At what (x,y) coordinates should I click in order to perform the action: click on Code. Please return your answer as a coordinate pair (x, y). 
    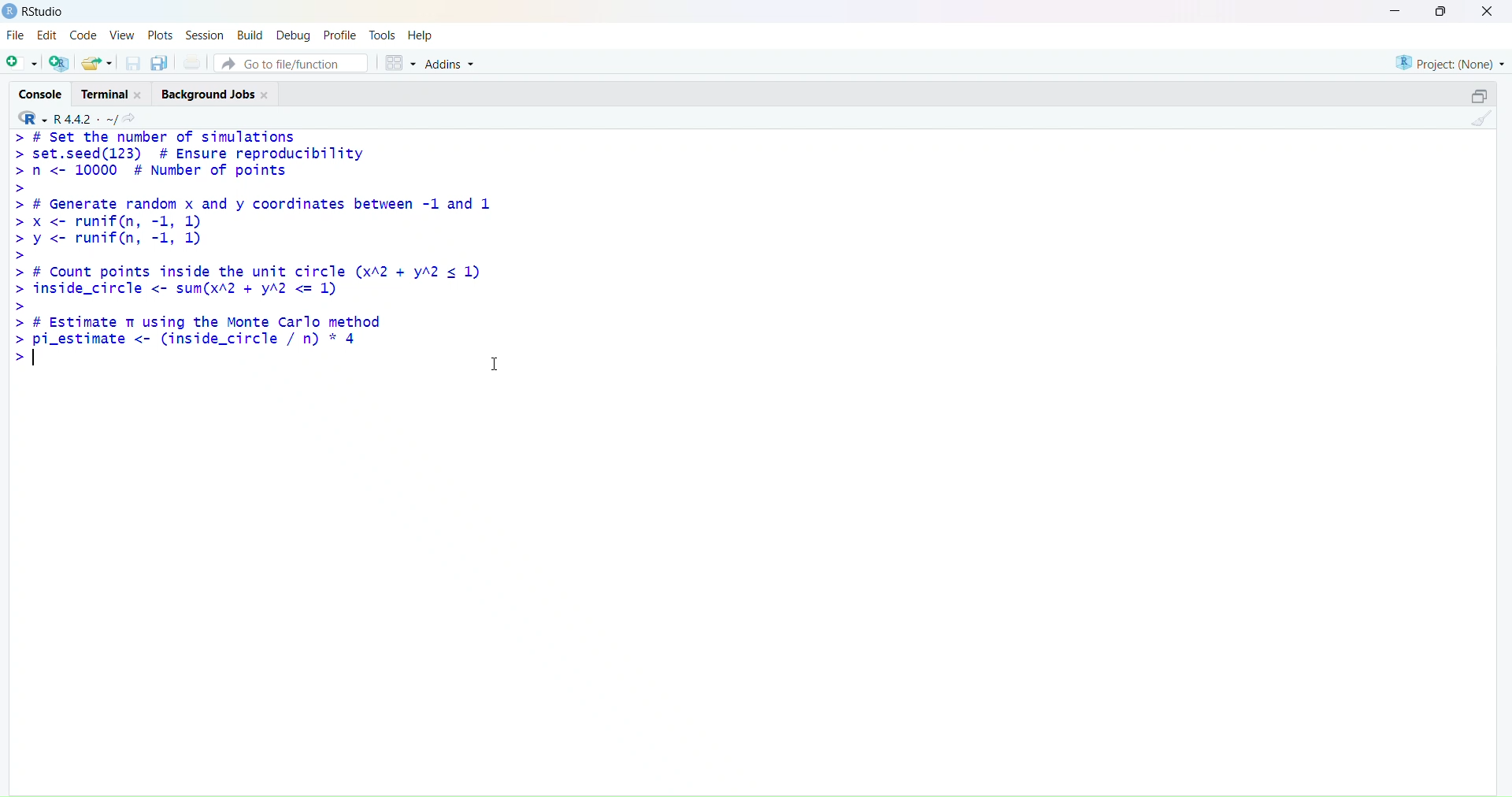
    Looking at the image, I should click on (83, 35).